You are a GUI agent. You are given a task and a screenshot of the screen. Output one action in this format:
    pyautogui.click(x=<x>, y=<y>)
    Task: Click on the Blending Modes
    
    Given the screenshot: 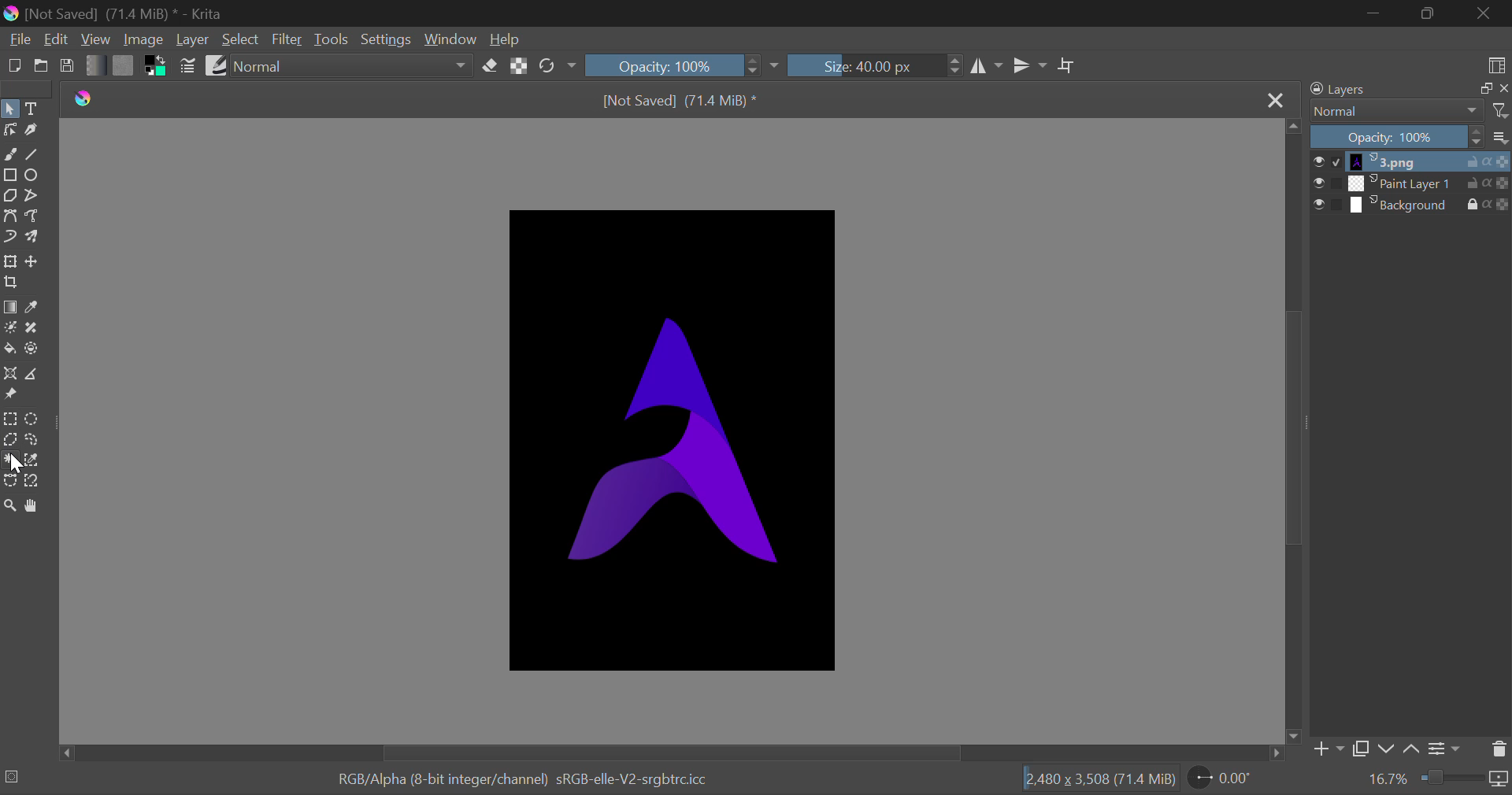 What is the action you would take?
    pyautogui.click(x=353, y=65)
    